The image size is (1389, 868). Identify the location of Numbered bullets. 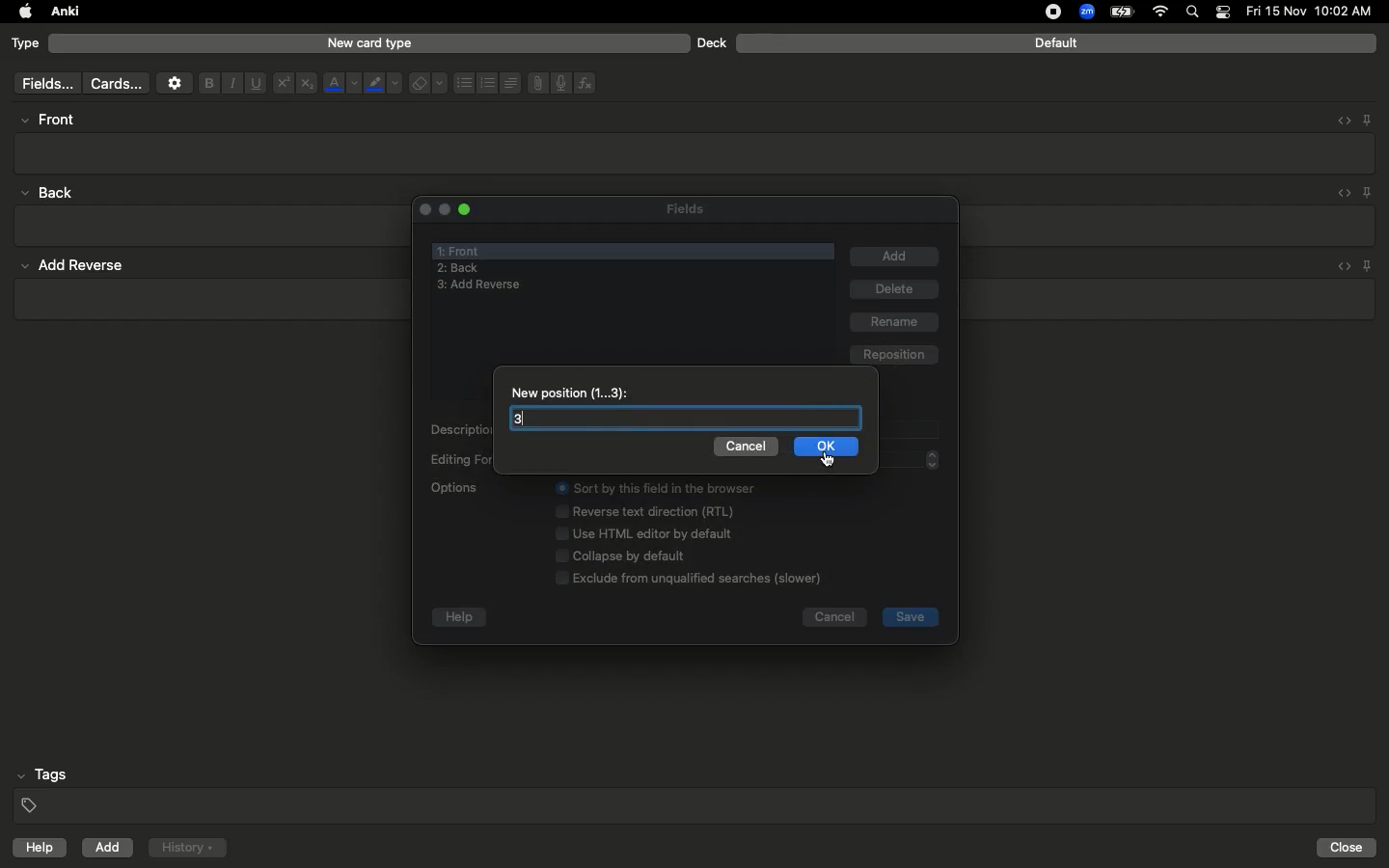
(488, 83).